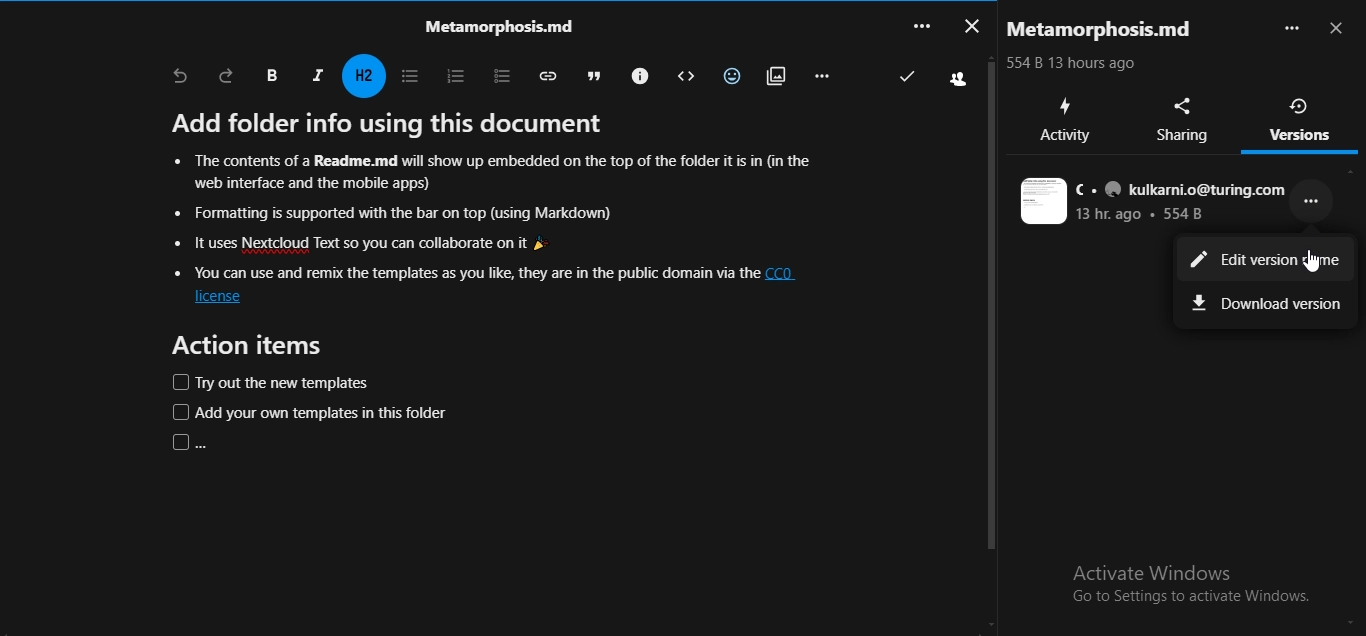 This screenshot has width=1366, height=636. What do you see at coordinates (989, 348) in the screenshot?
I see `Scrollbar` at bounding box center [989, 348].